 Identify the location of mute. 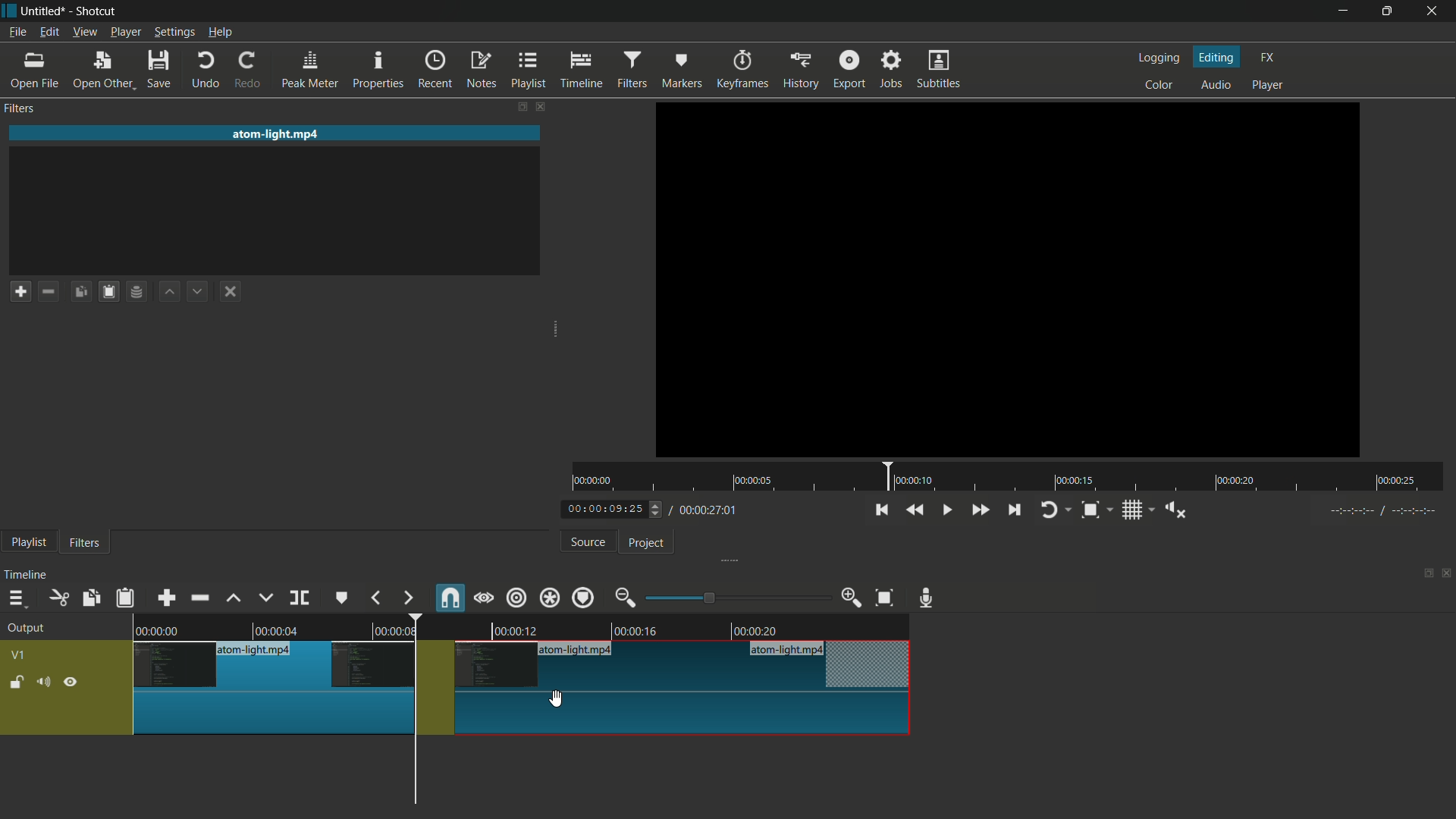
(42, 681).